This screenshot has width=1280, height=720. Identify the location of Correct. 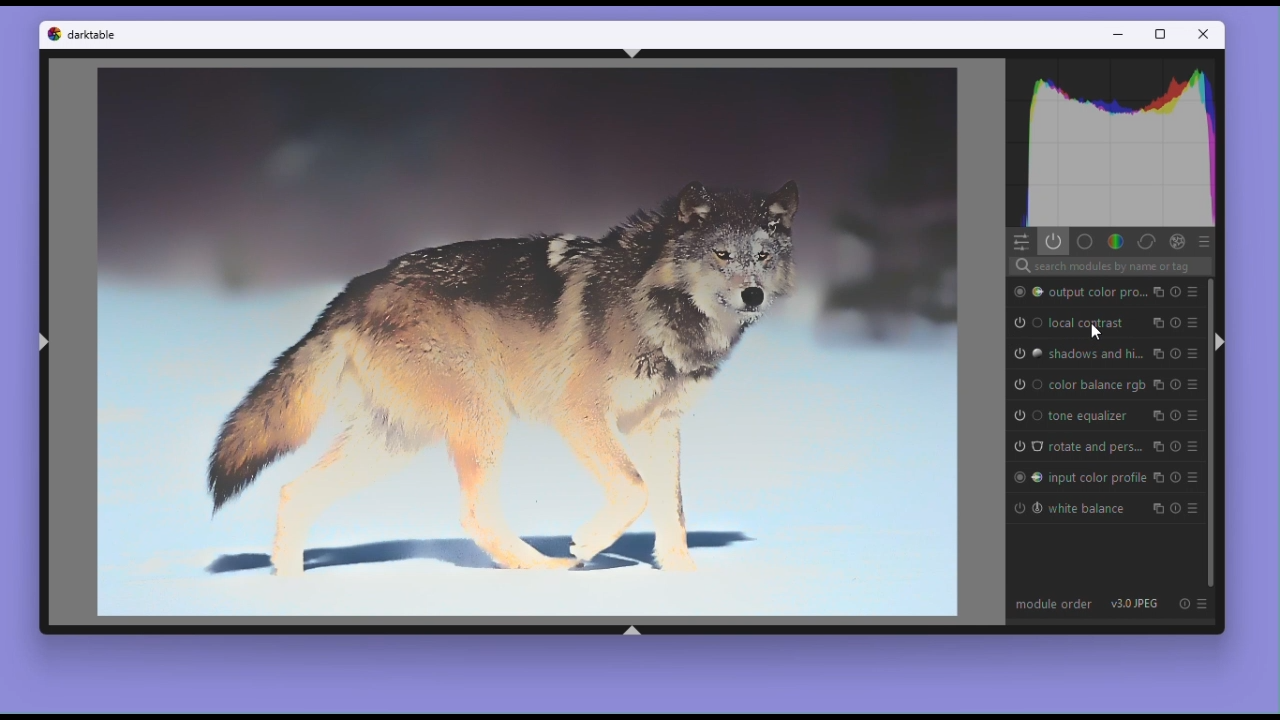
(1145, 241).